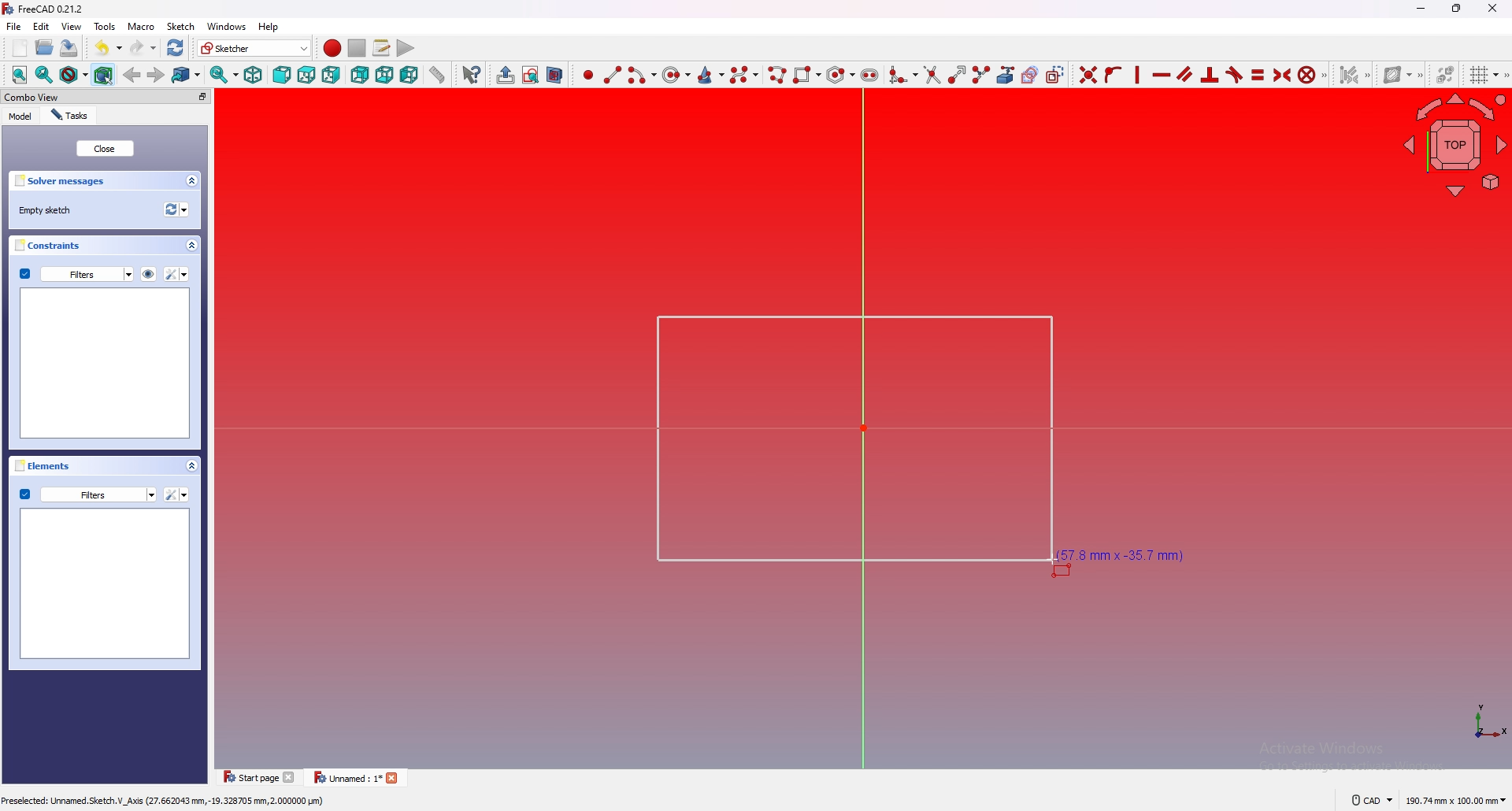 The height and width of the screenshot is (811, 1512). What do you see at coordinates (175, 494) in the screenshot?
I see `settings` at bounding box center [175, 494].